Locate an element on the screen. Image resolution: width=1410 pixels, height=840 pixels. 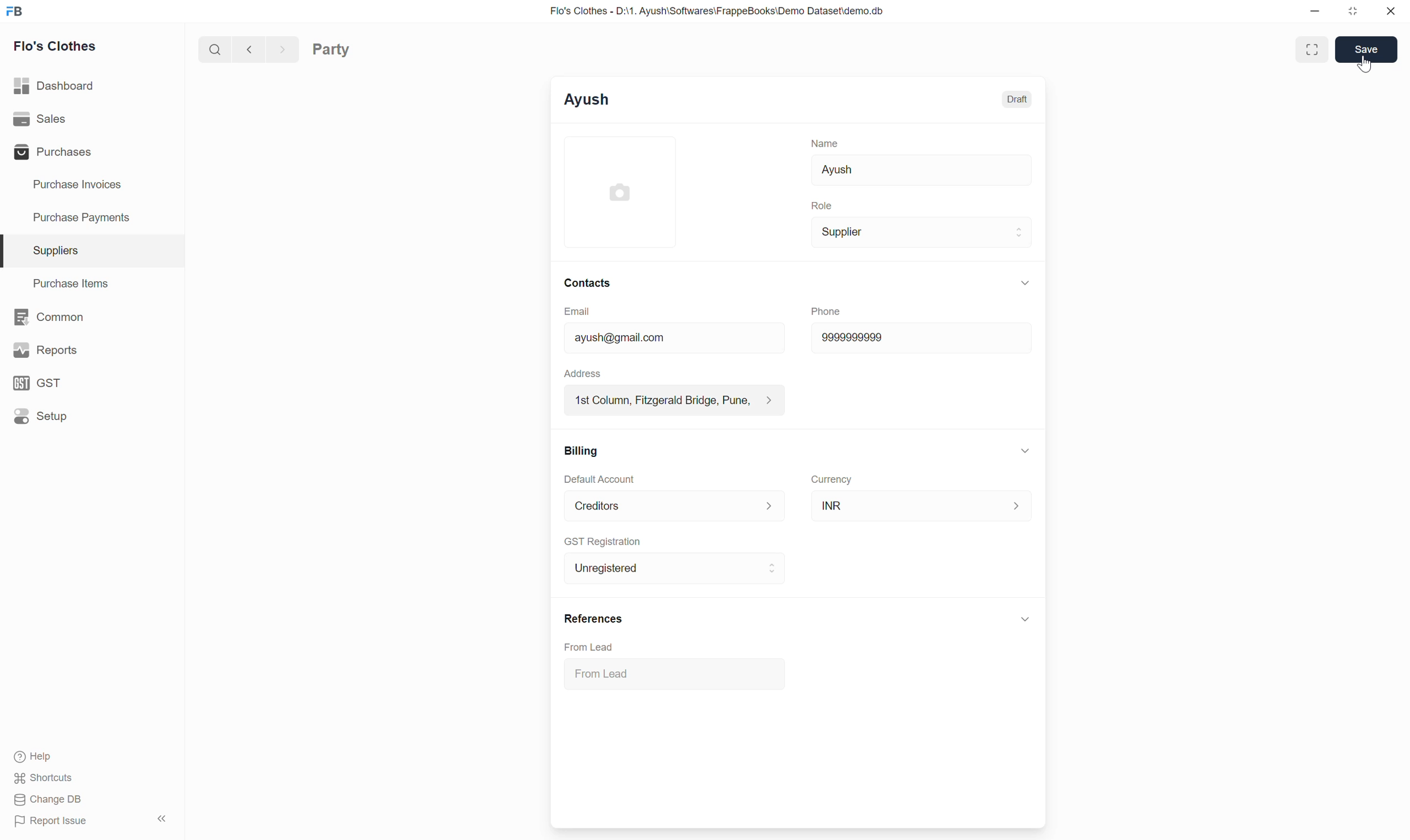
Collapse is located at coordinates (1025, 451).